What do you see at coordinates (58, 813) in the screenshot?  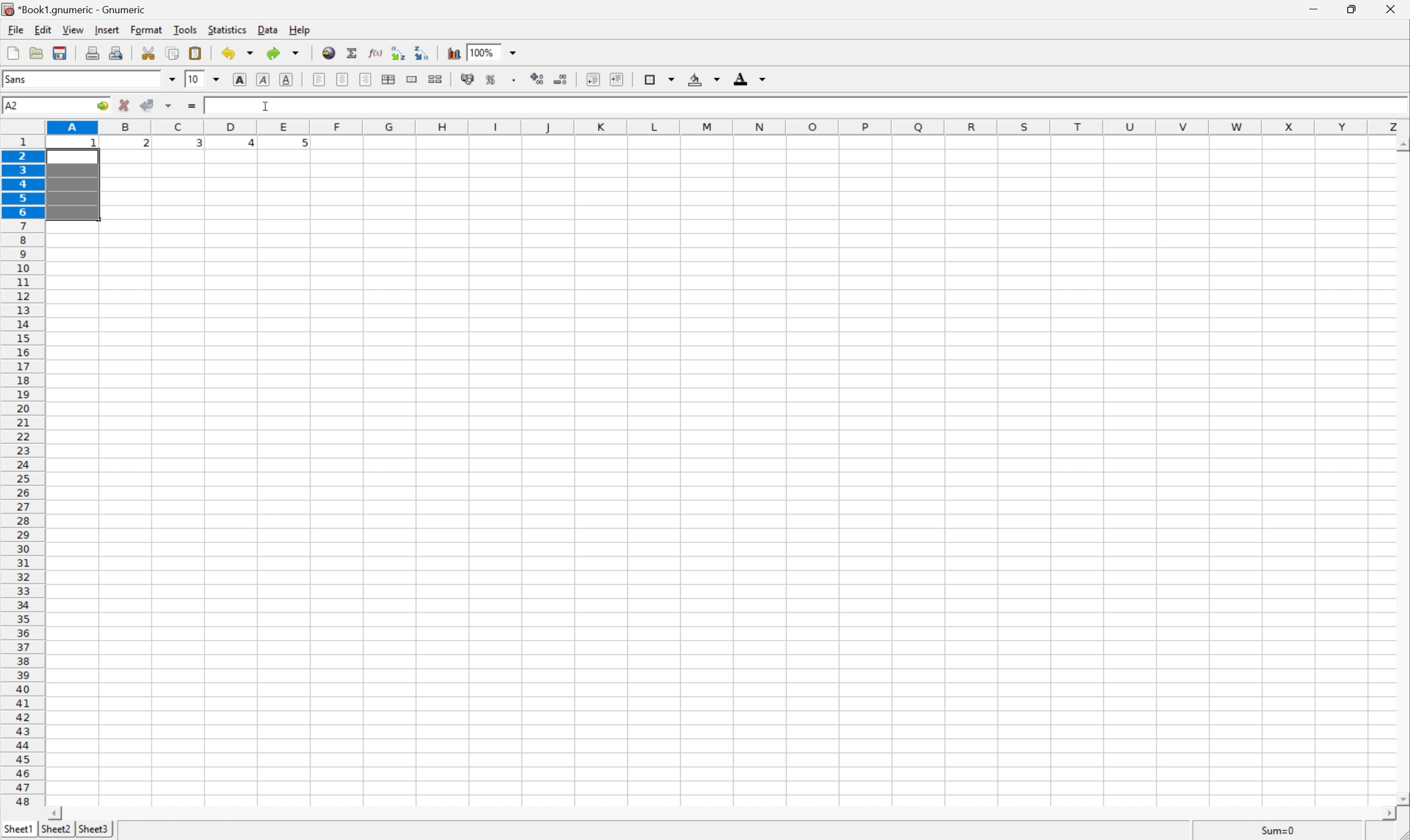 I see `scroll left` at bounding box center [58, 813].